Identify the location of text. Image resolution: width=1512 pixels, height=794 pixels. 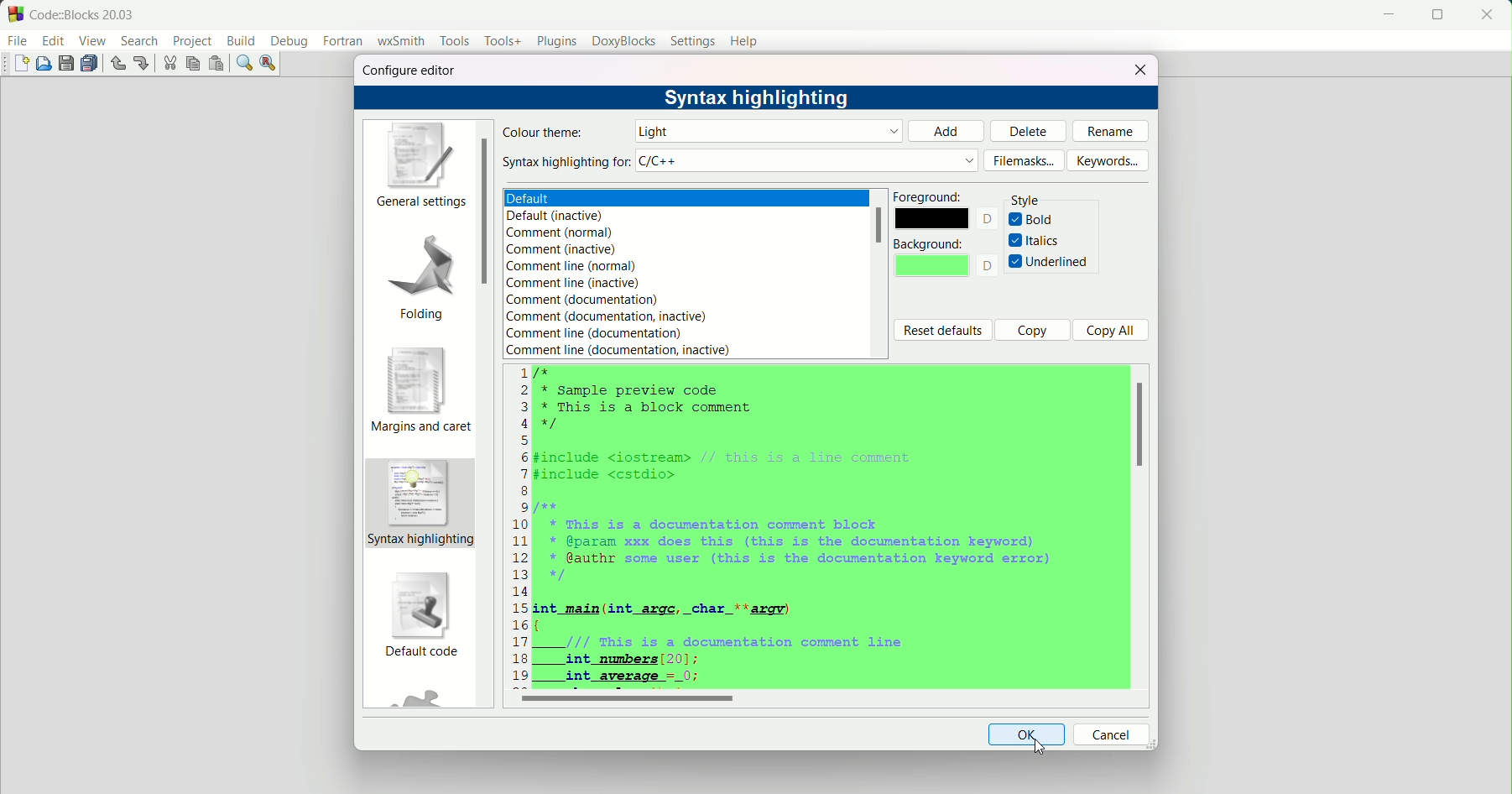
(990, 265).